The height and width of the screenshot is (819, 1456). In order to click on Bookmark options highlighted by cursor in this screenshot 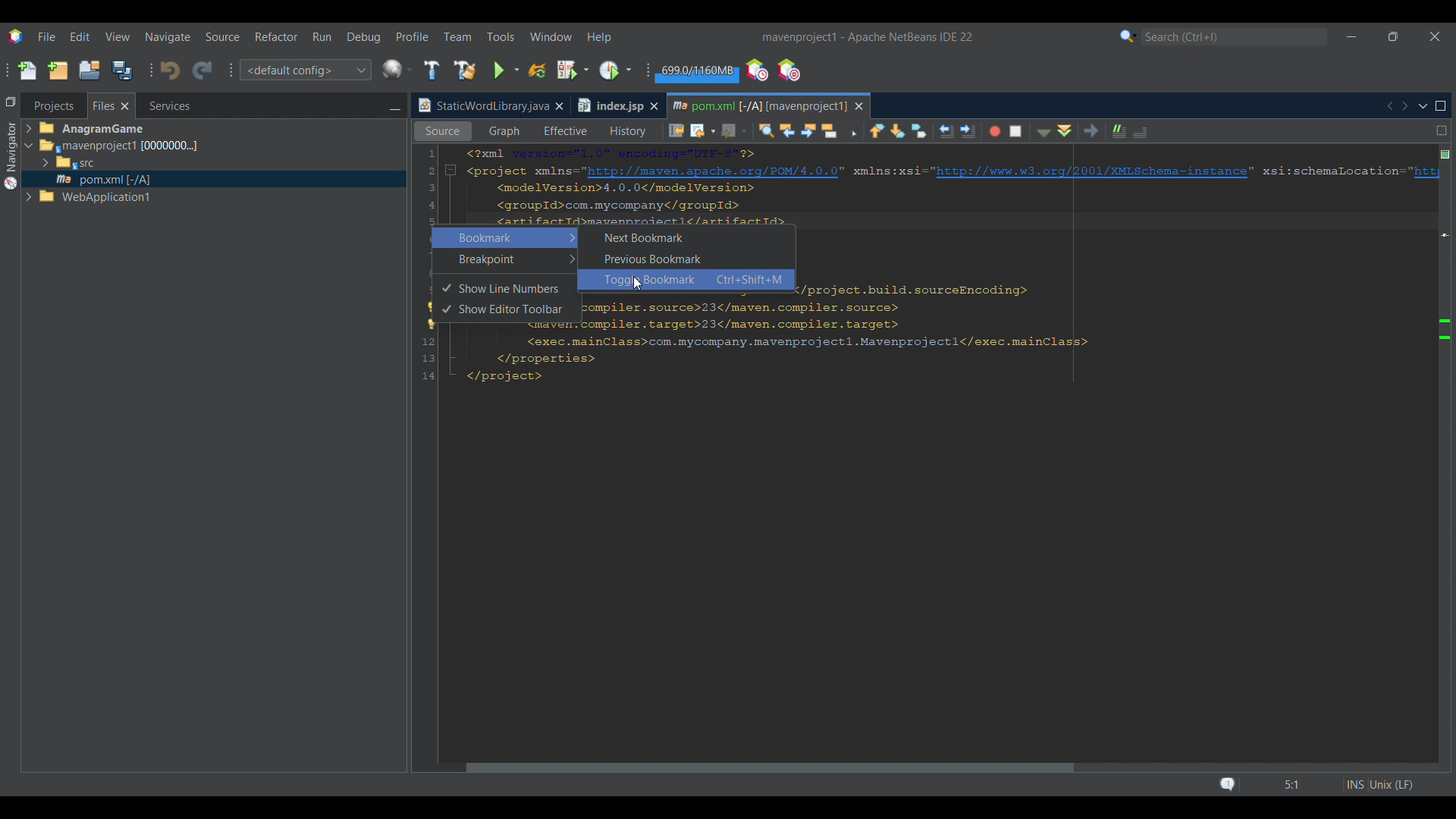, I will do `click(505, 238)`.